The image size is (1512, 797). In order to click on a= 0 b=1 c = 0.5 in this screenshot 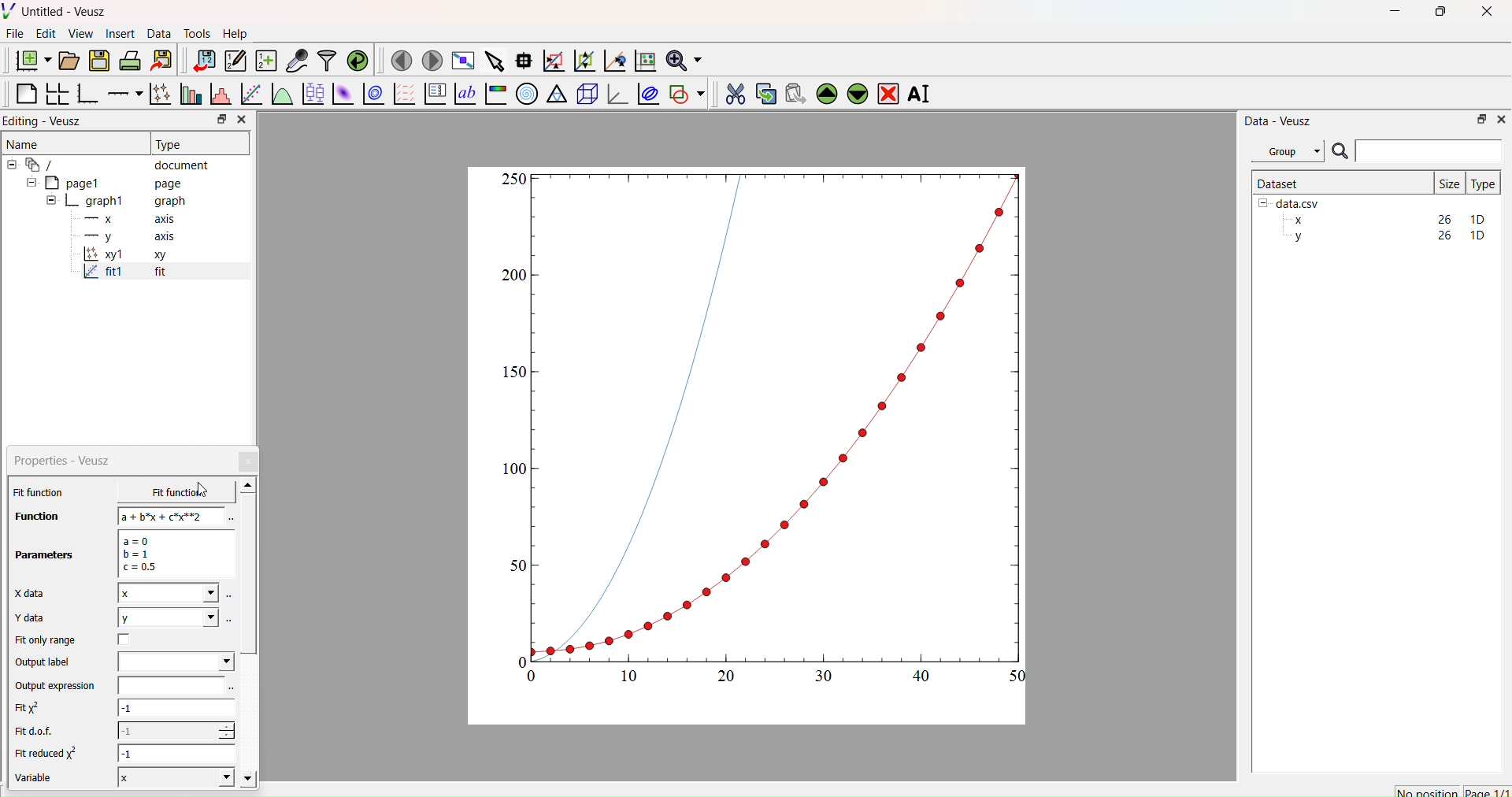, I will do `click(173, 554)`.